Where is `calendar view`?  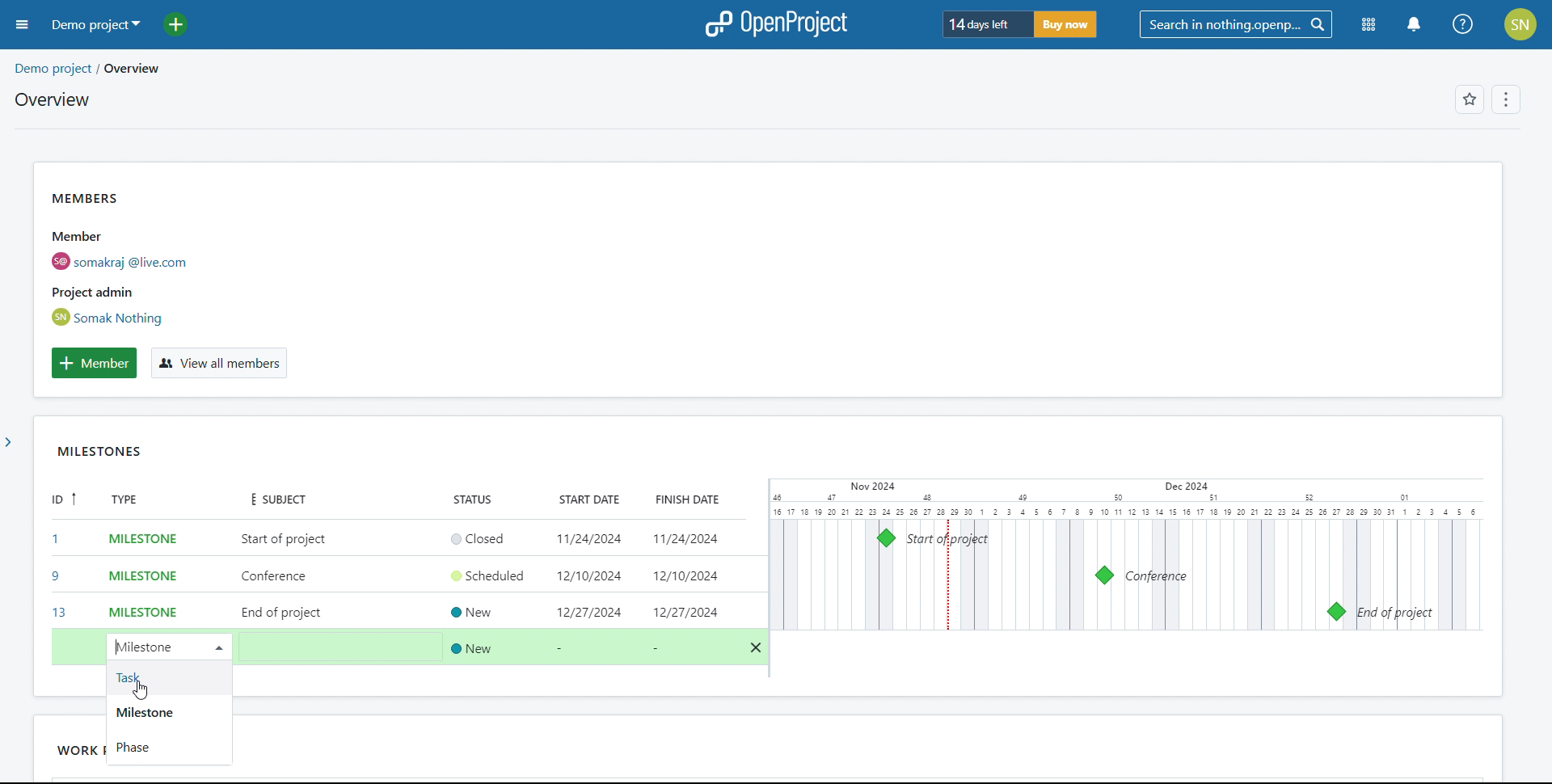
calendar view is located at coordinates (1125, 554).